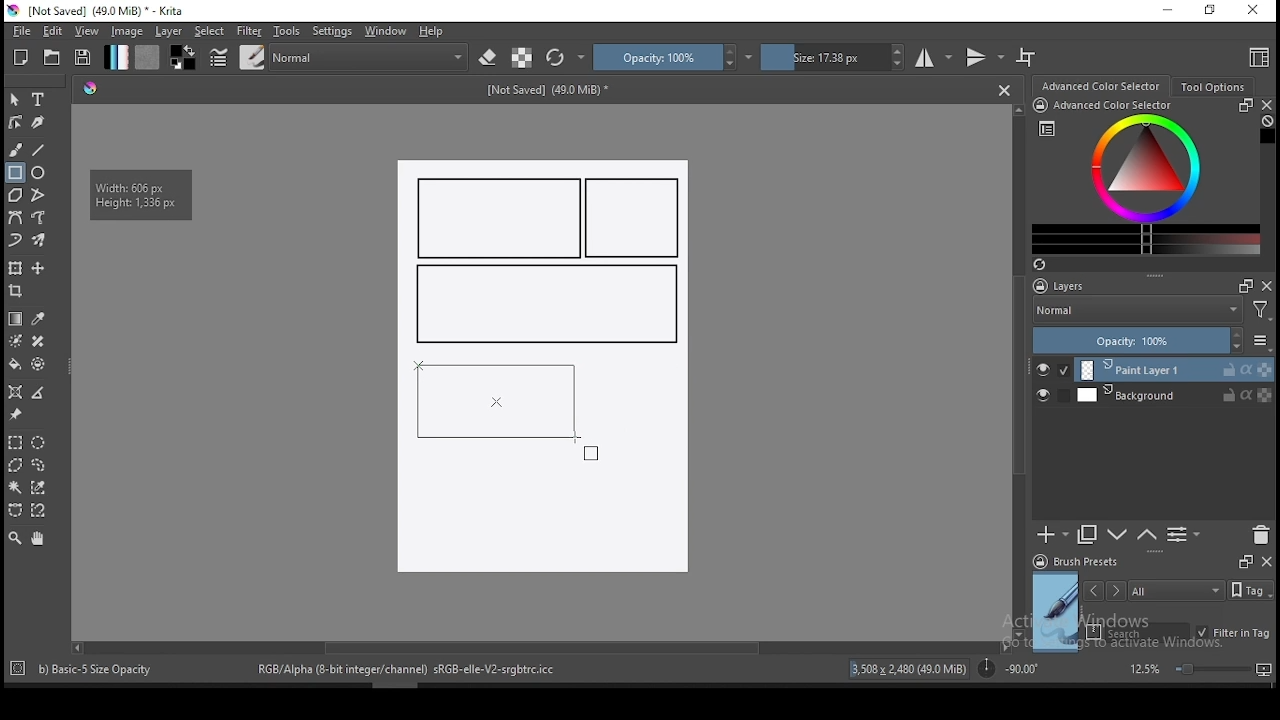 This screenshot has height=720, width=1280. I want to click on Clear, so click(1267, 123).